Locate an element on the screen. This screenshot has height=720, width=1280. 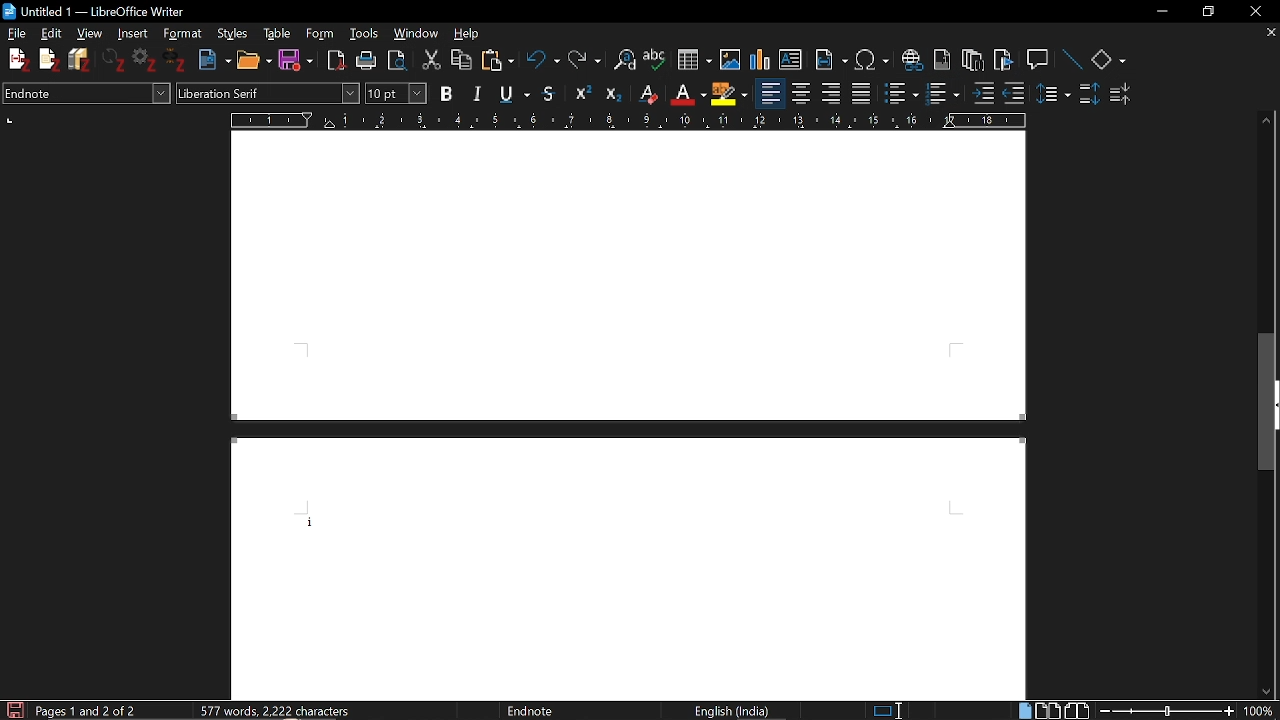
Basic shapes is located at coordinates (1108, 61).